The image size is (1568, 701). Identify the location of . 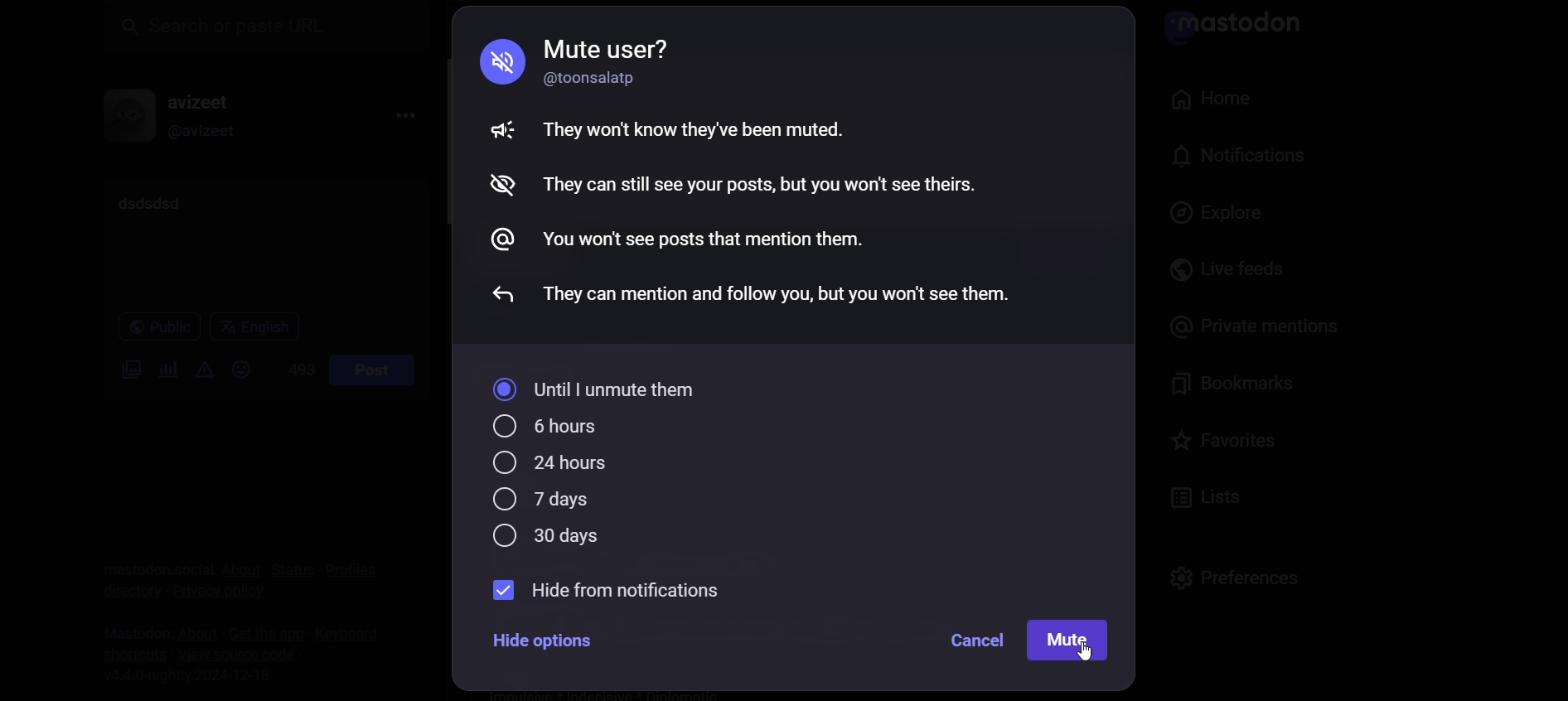
(765, 184).